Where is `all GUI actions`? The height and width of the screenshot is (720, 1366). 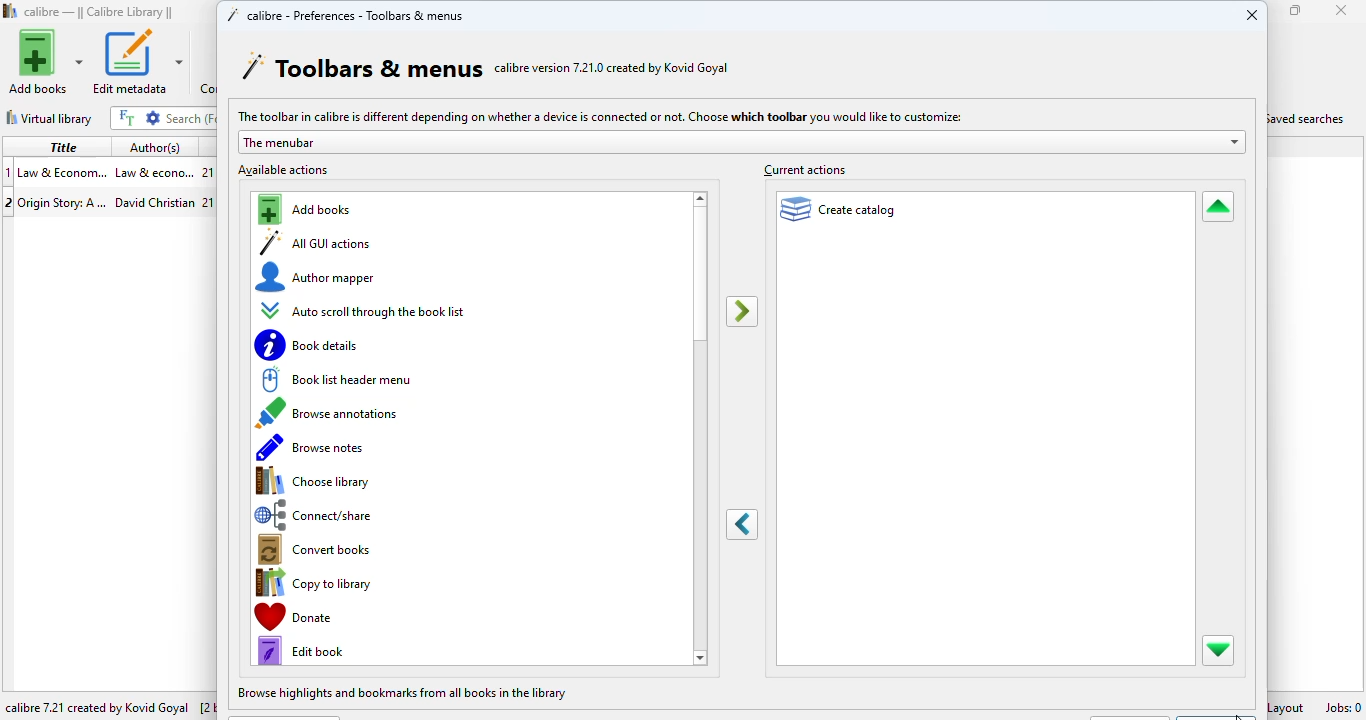
all GUI actions is located at coordinates (316, 242).